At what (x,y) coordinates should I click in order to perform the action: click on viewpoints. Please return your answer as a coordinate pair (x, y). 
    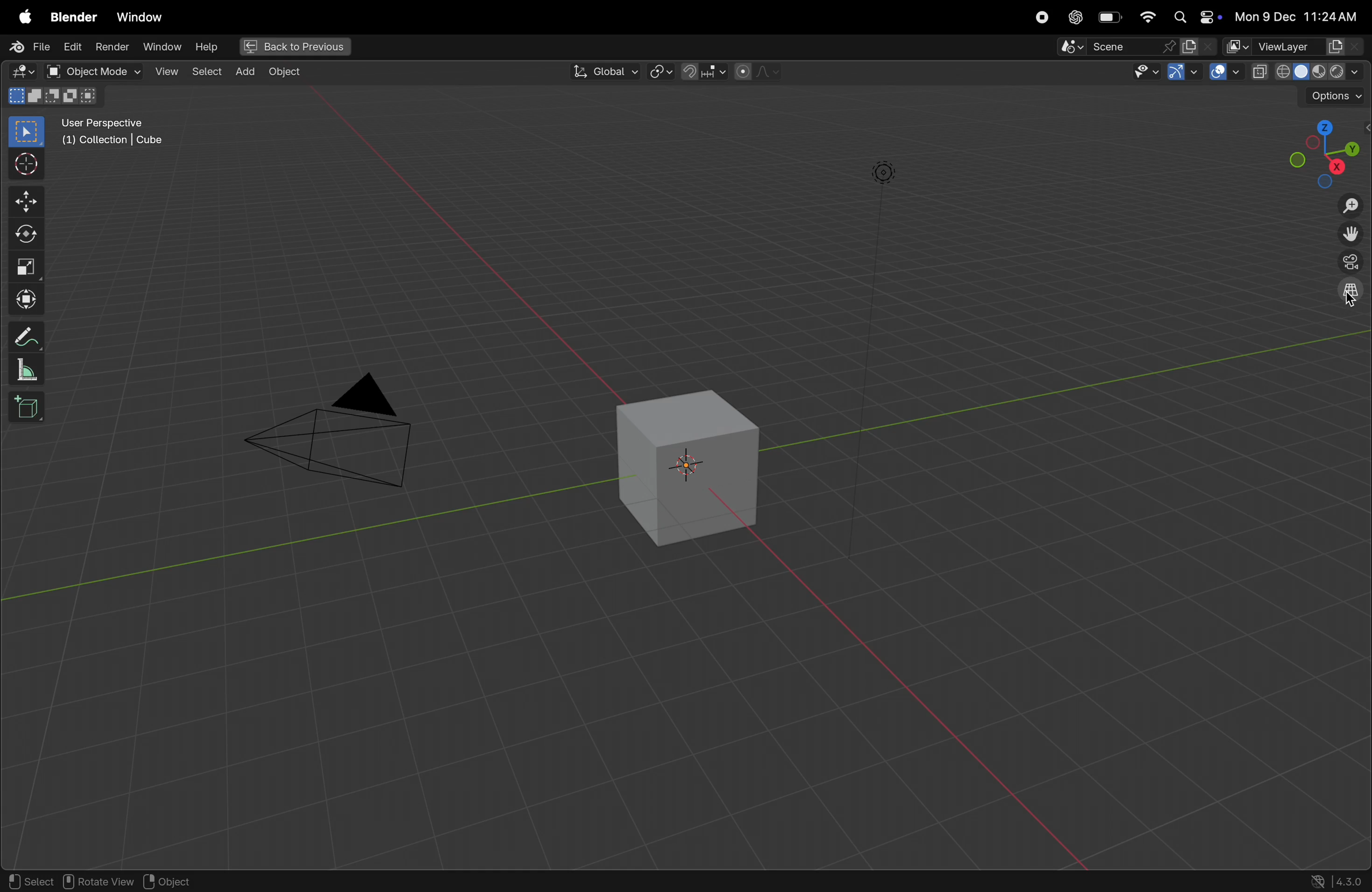
    Looking at the image, I should click on (1326, 151).